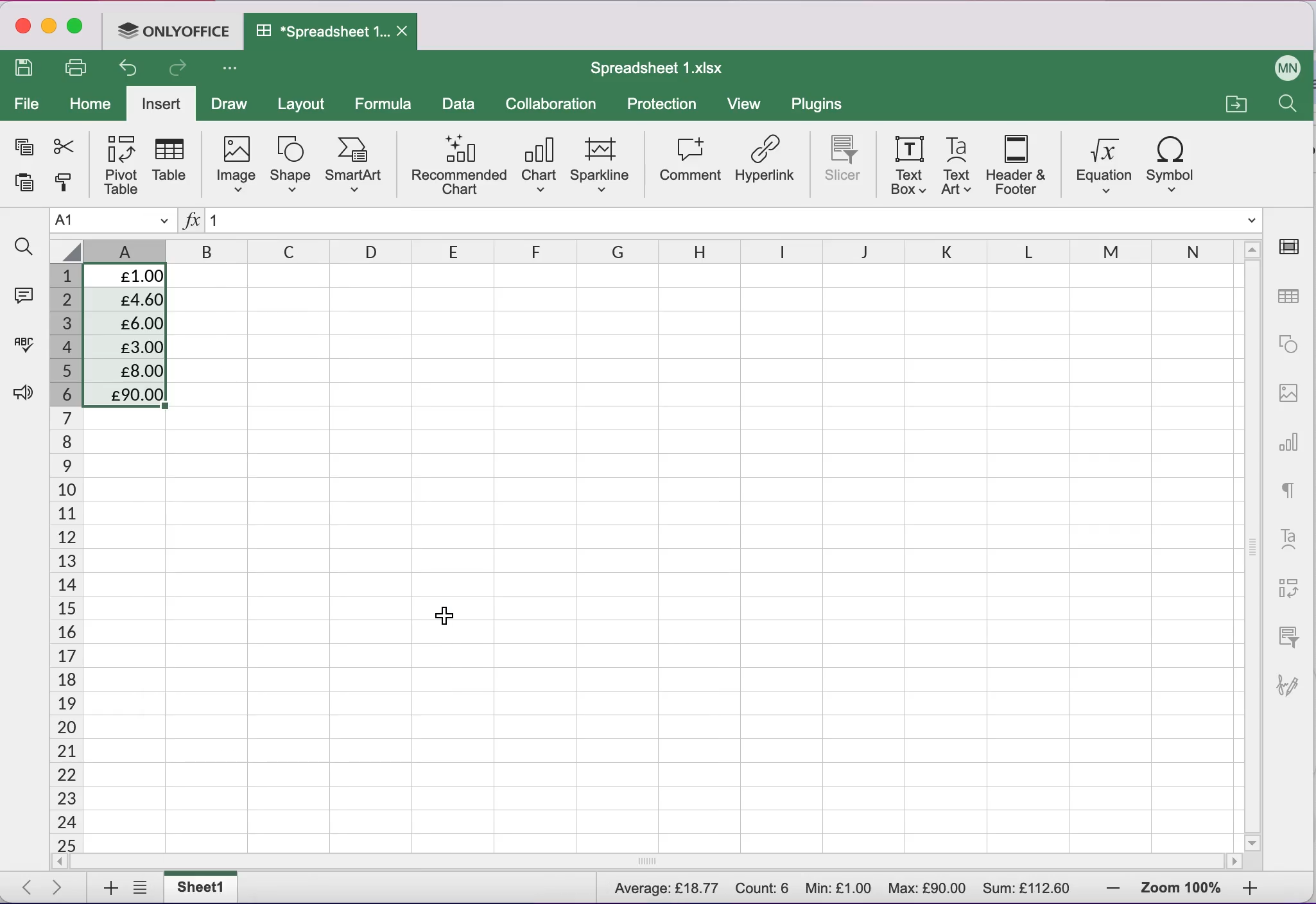 Image resolution: width=1316 pixels, height=904 pixels. Describe the element at coordinates (92, 104) in the screenshot. I see `home` at that location.